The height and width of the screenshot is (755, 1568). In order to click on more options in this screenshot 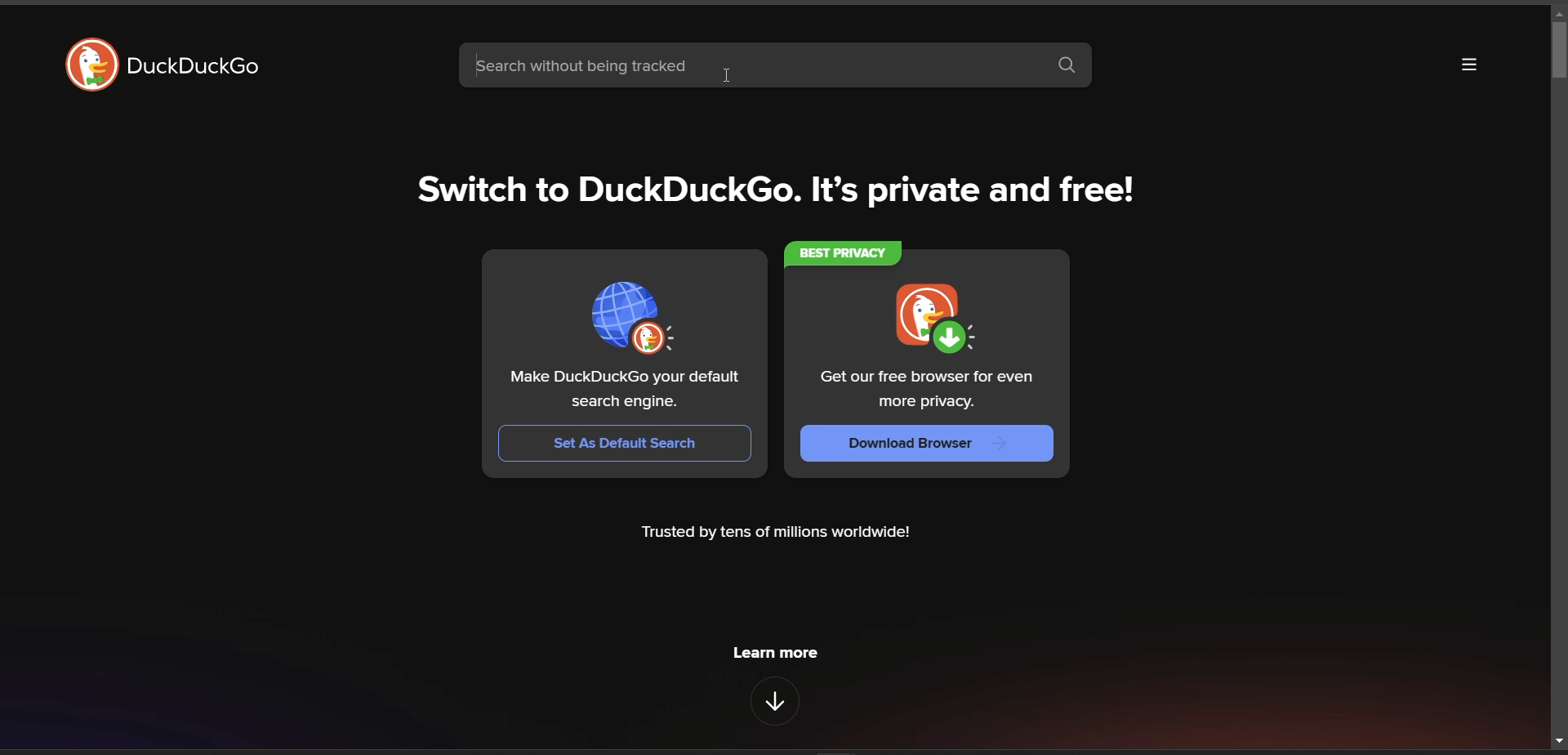, I will do `click(1470, 62)`.